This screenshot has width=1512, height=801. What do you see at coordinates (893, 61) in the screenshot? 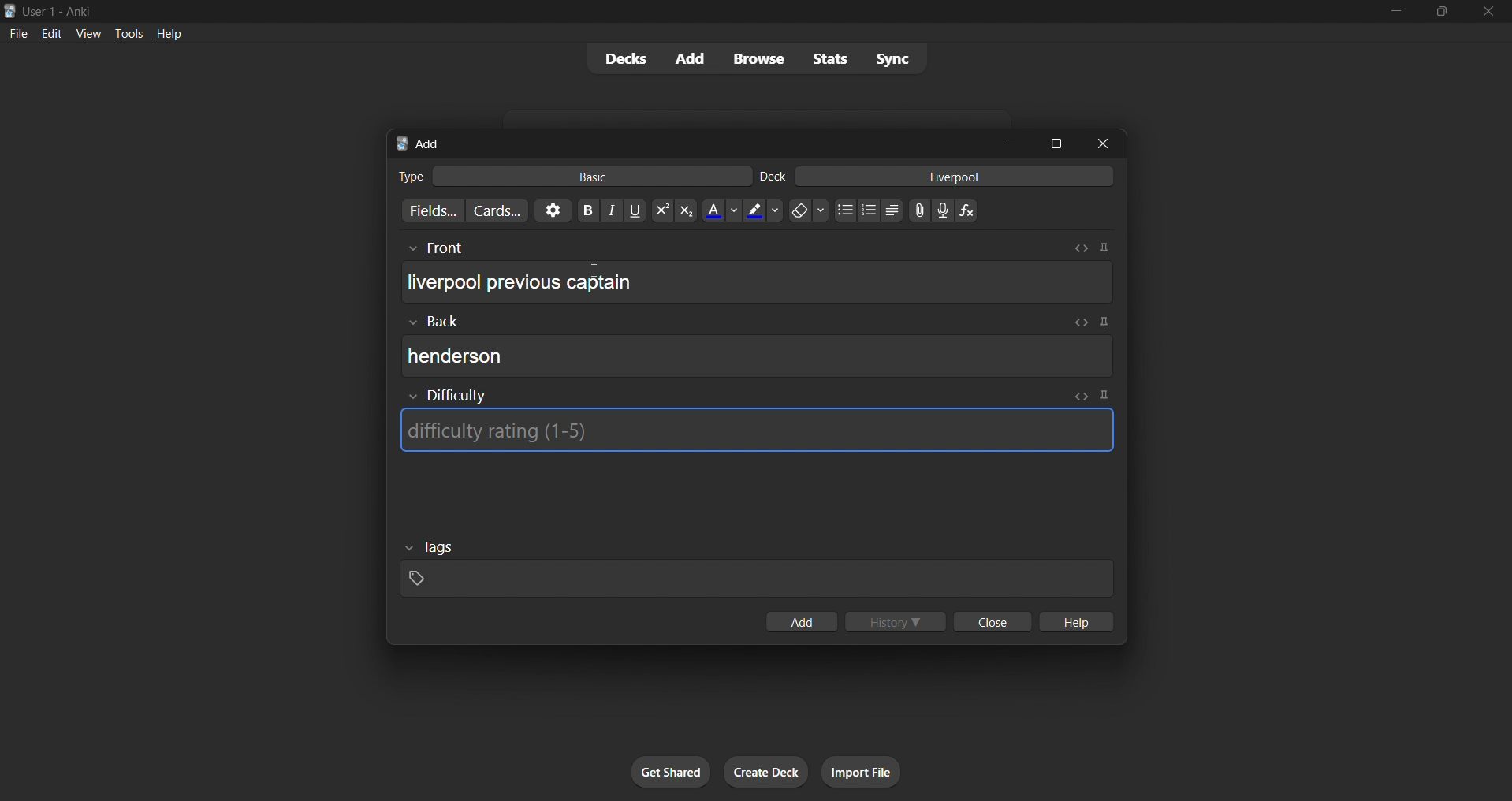
I see `sync` at bounding box center [893, 61].